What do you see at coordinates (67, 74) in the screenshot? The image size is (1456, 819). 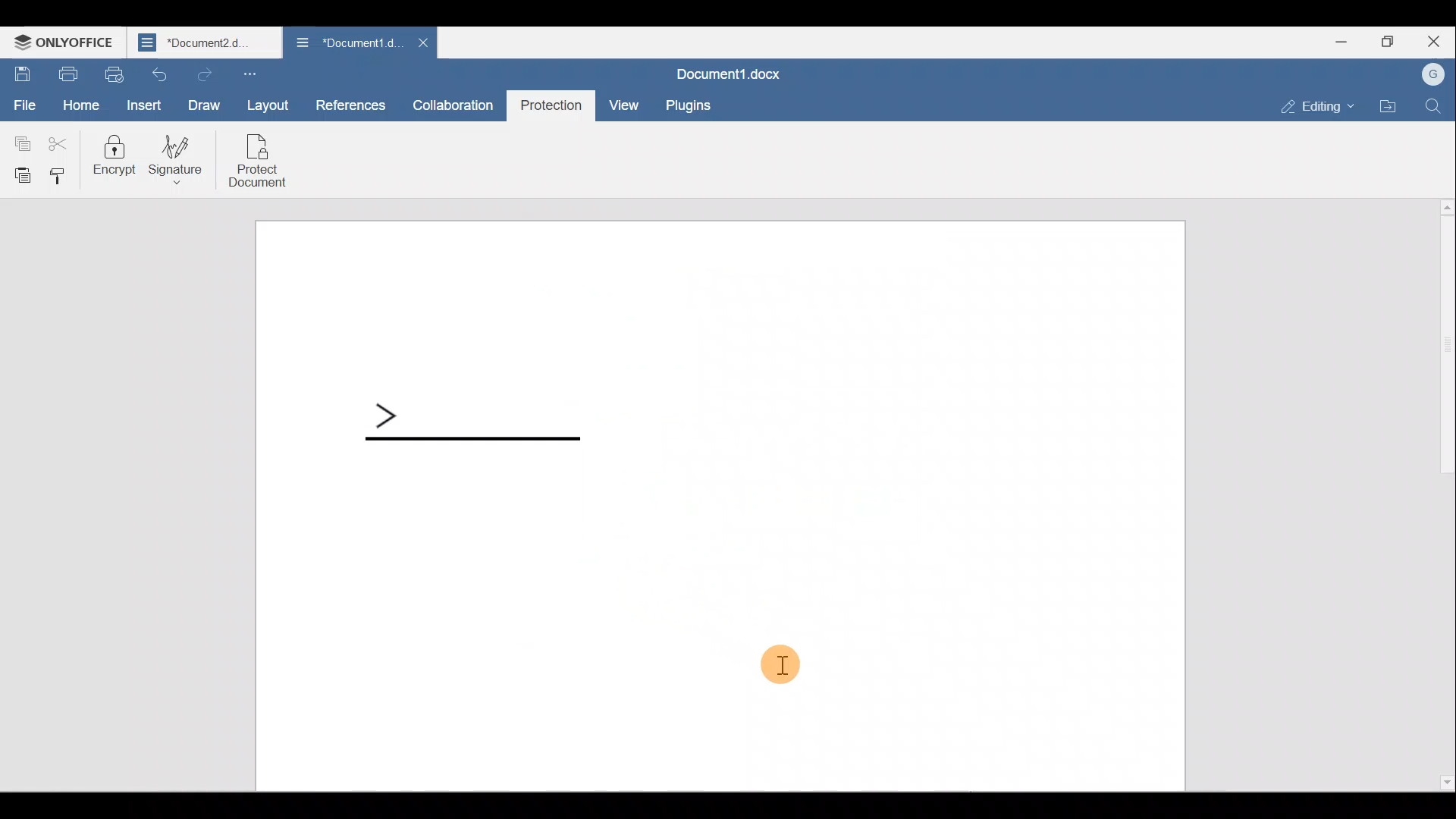 I see `Print file` at bounding box center [67, 74].